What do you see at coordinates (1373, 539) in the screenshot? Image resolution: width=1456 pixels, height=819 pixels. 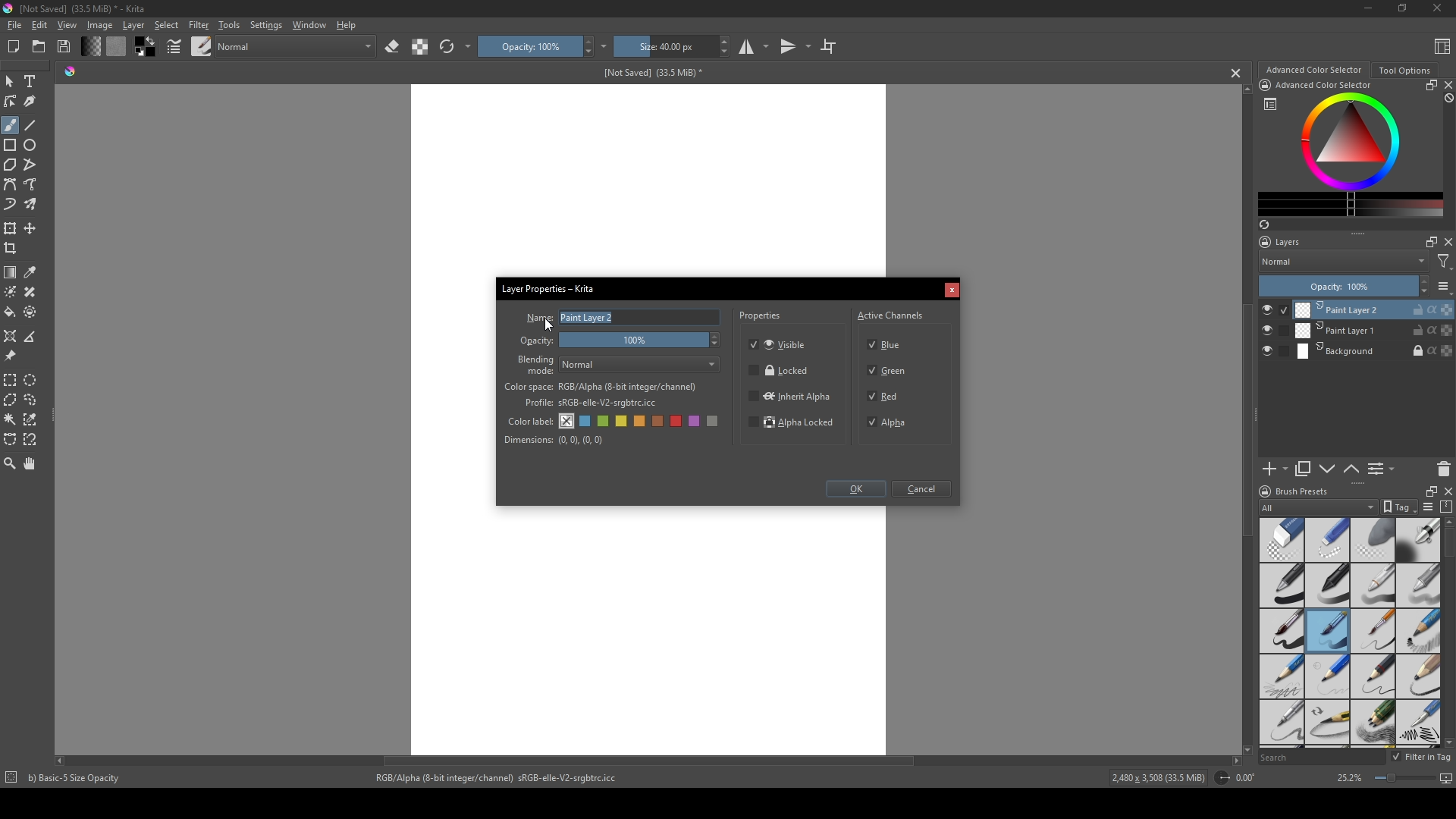 I see `soft eraser` at bounding box center [1373, 539].